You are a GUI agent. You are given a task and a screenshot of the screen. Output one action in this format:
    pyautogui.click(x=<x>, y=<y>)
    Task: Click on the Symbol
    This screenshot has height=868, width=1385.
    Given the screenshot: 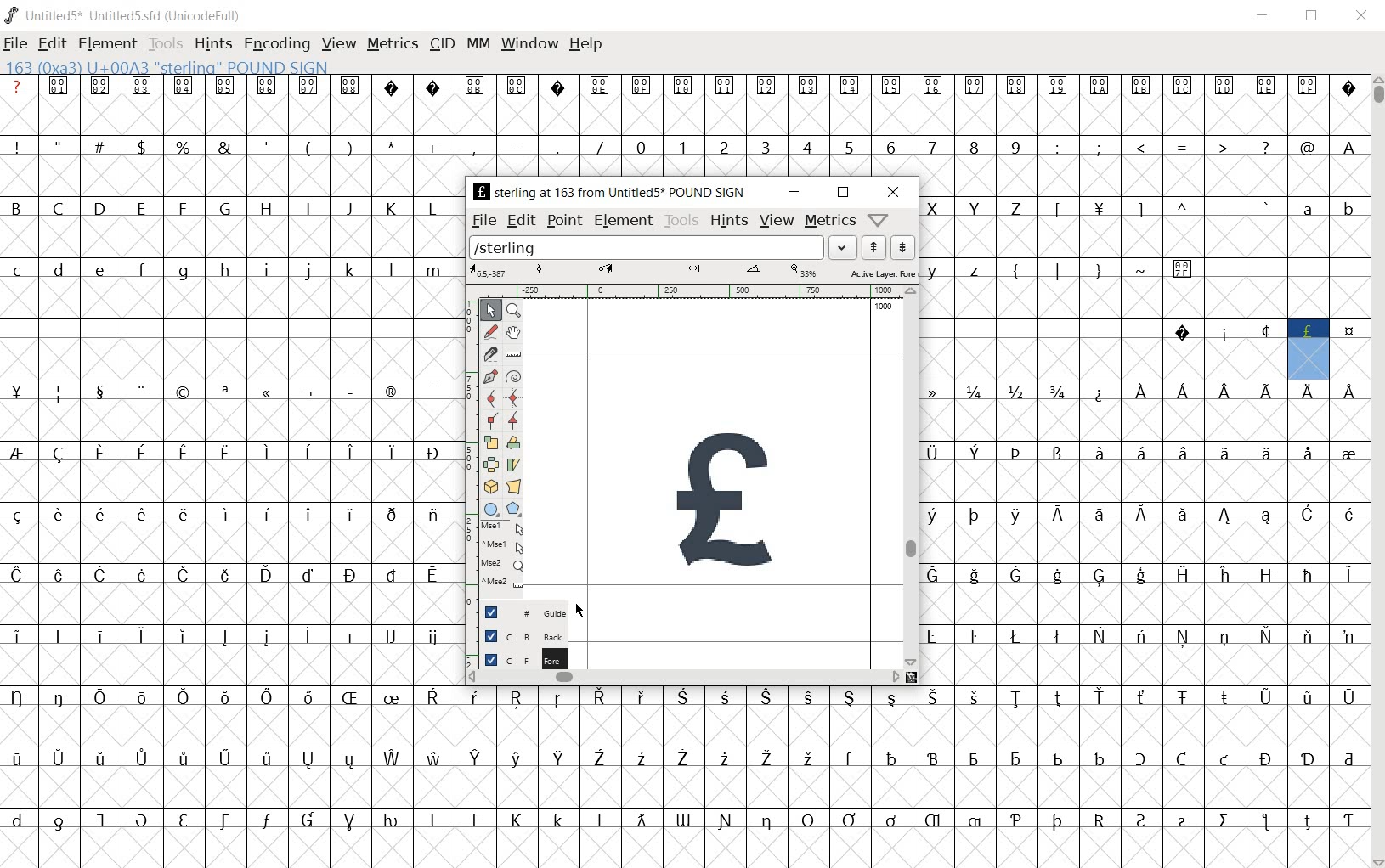 What is the action you would take?
    pyautogui.click(x=1017, y=85)
    